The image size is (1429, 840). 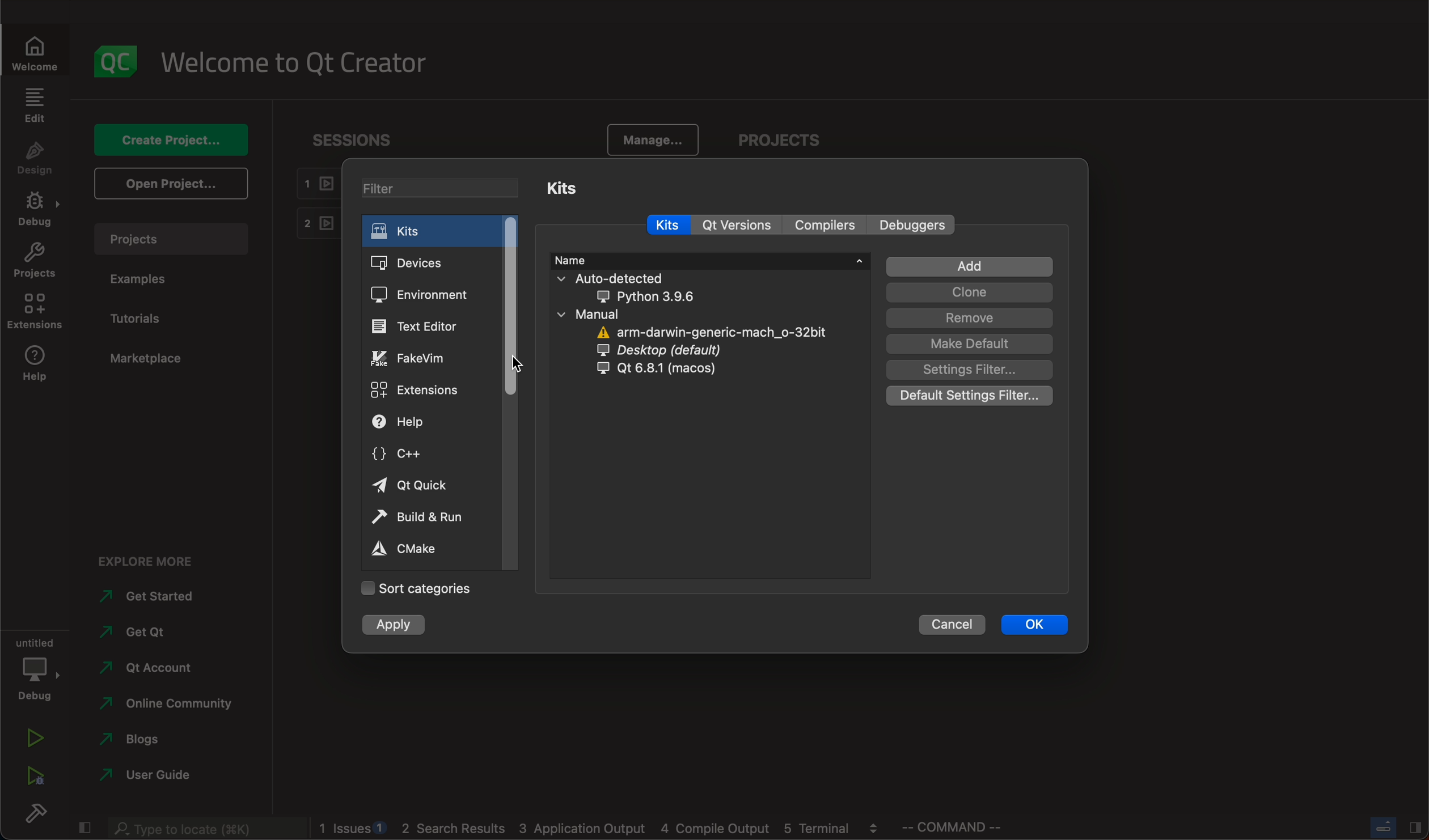 What do you see at coordinates (425, 294) in the screenshot?
I see `environment` at bounding box center [425, 294].